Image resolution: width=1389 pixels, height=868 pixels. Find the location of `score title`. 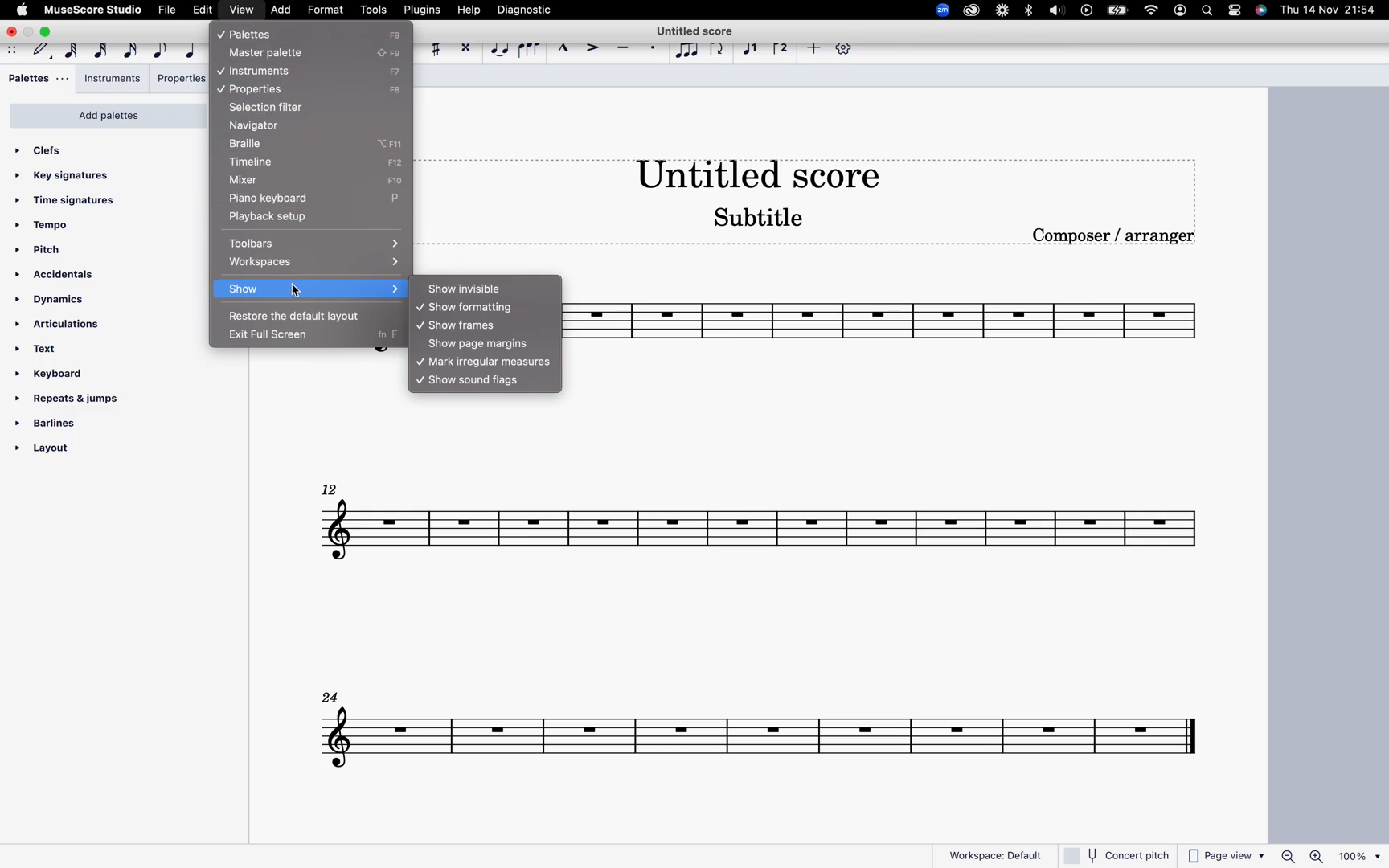

score title is located at coordinates (762, 171).